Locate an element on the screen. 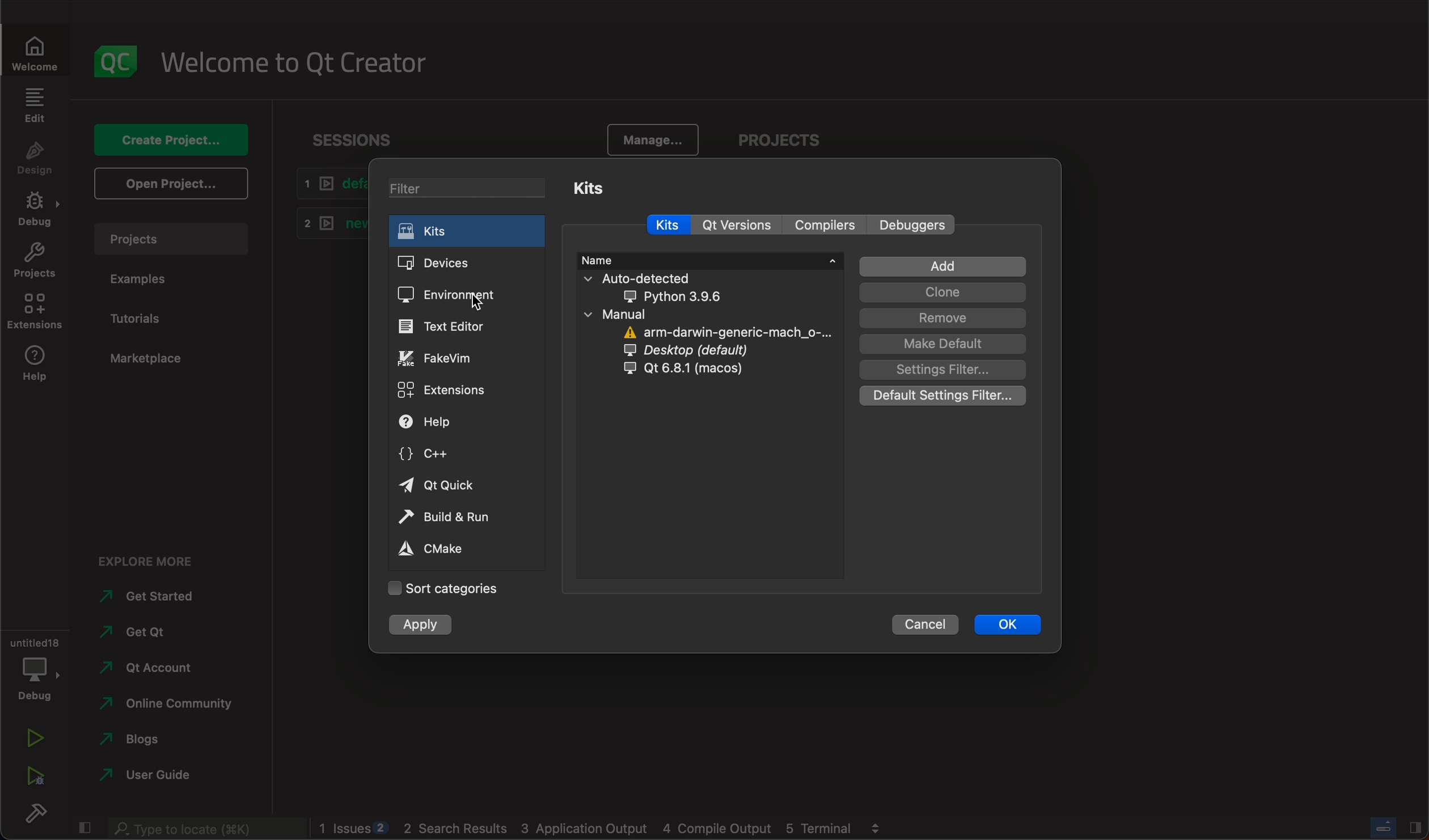 This screenshot has height=840, width=1429. tutorials is located at coordinates (143, 320).